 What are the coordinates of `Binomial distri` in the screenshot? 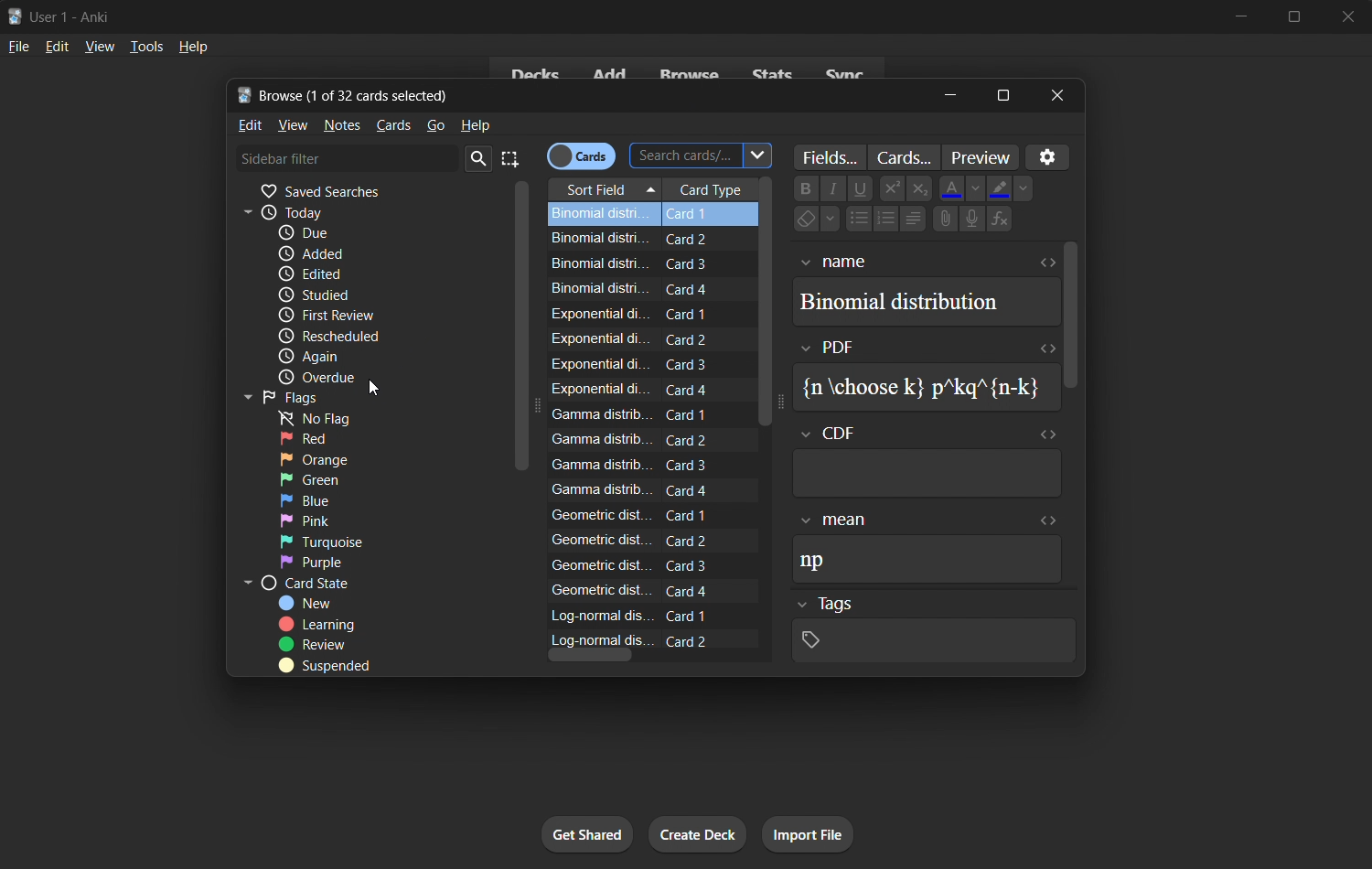 It's located at (599, 289).